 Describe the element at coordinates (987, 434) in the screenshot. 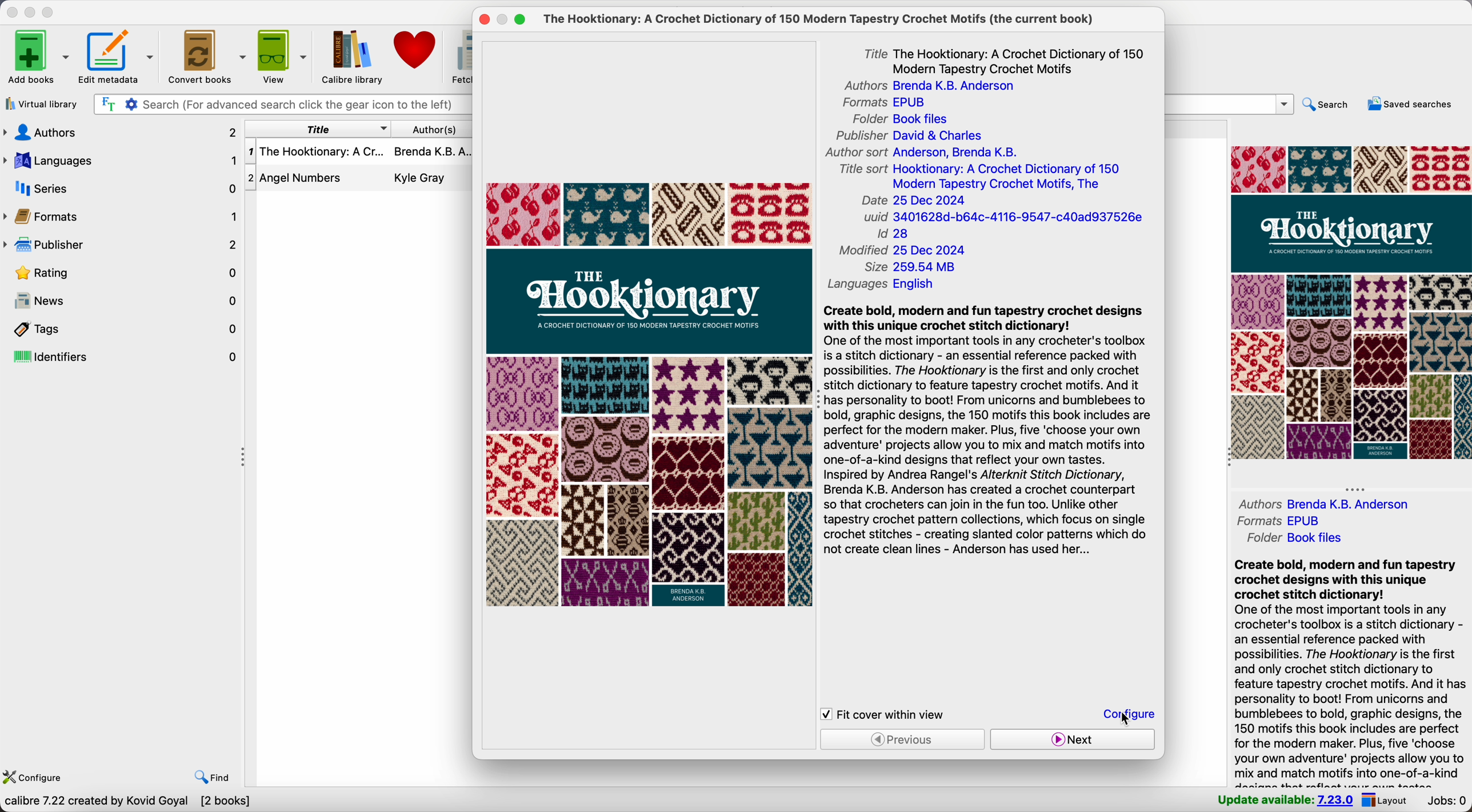

I see `synopsis` at that location.